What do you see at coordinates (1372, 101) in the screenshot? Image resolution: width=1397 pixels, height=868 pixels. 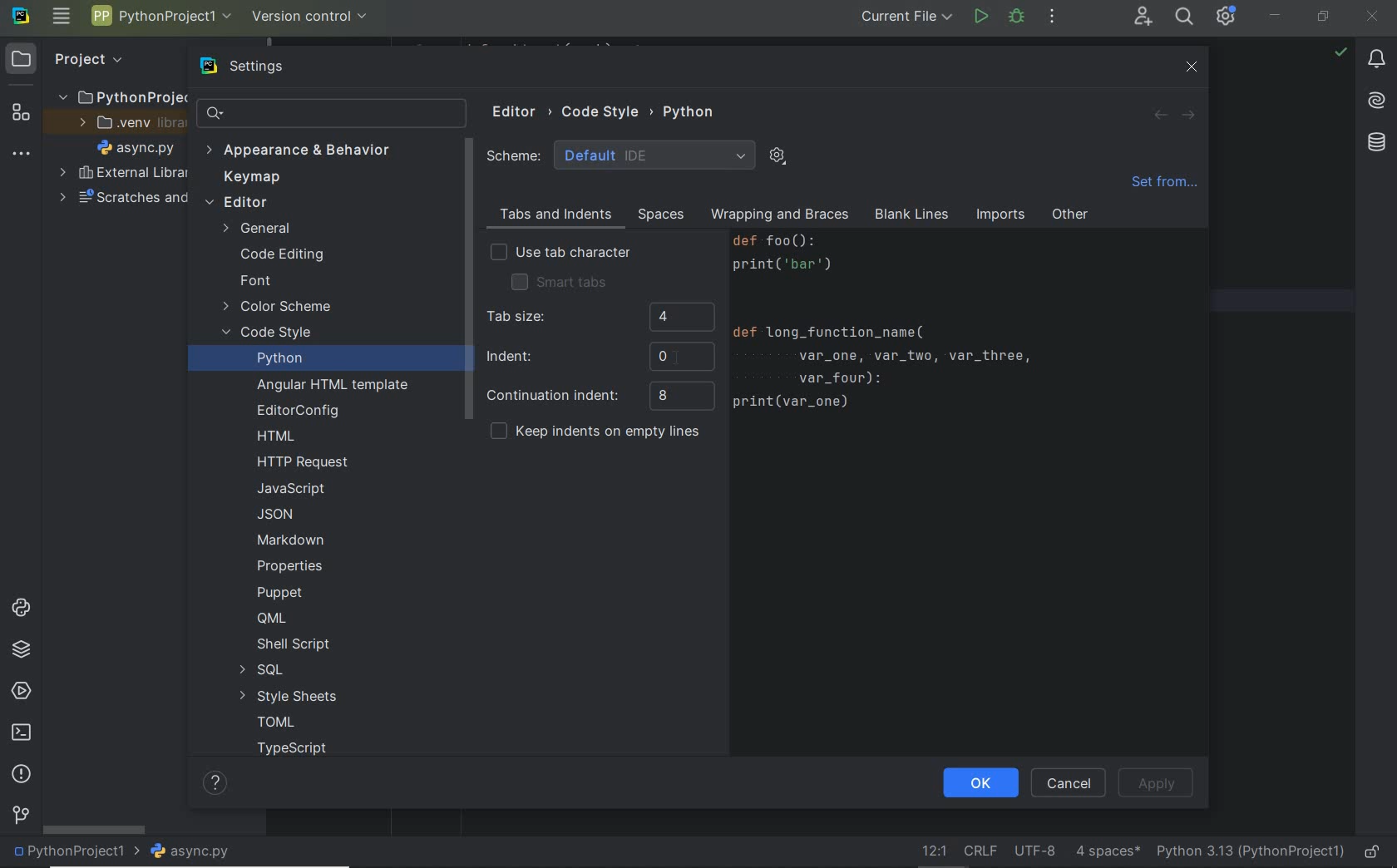 I see `AI Assistant` at bounding box center [1372, 101].